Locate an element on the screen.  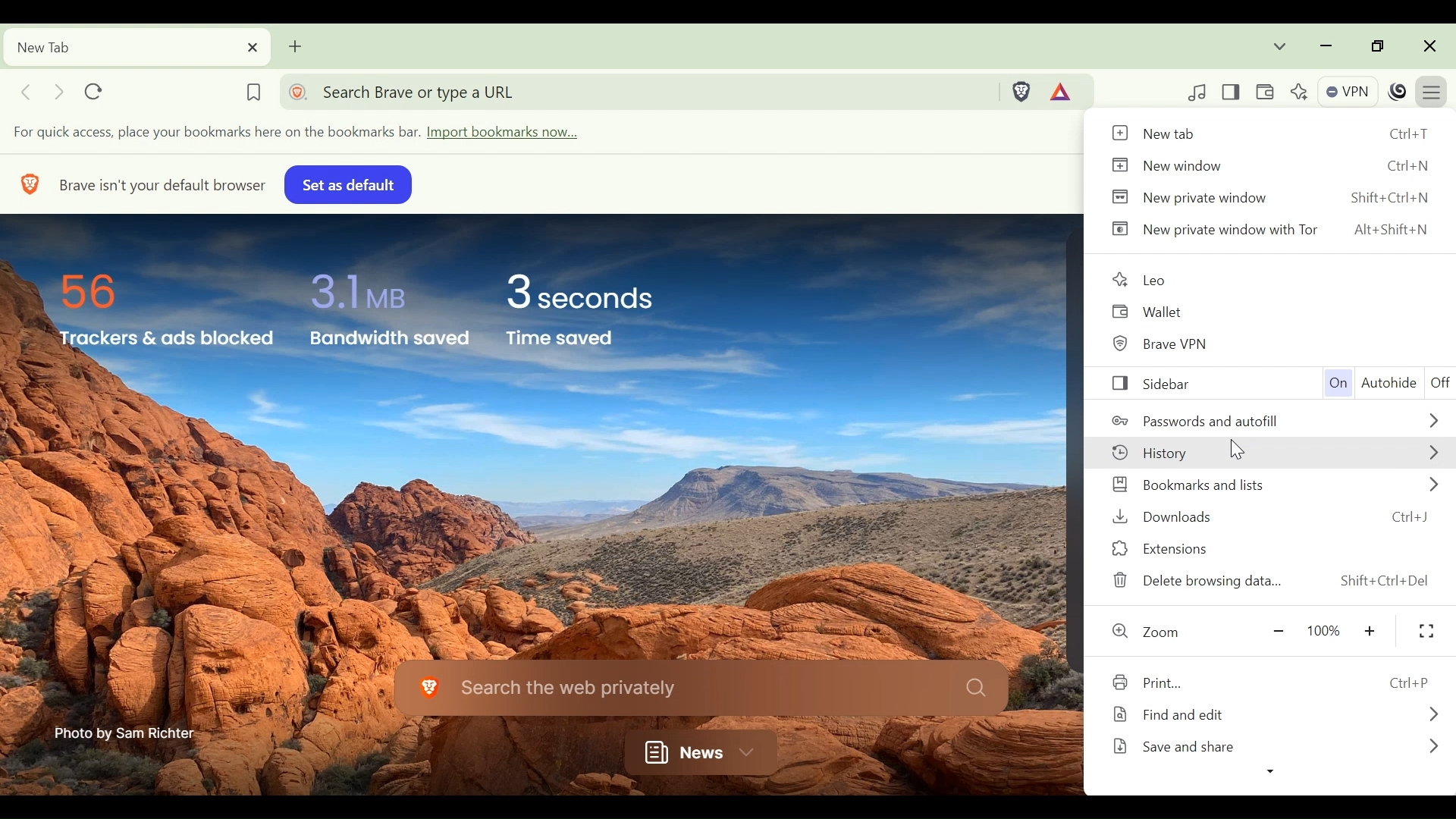
minimize is located at coordinates (1326, 45).